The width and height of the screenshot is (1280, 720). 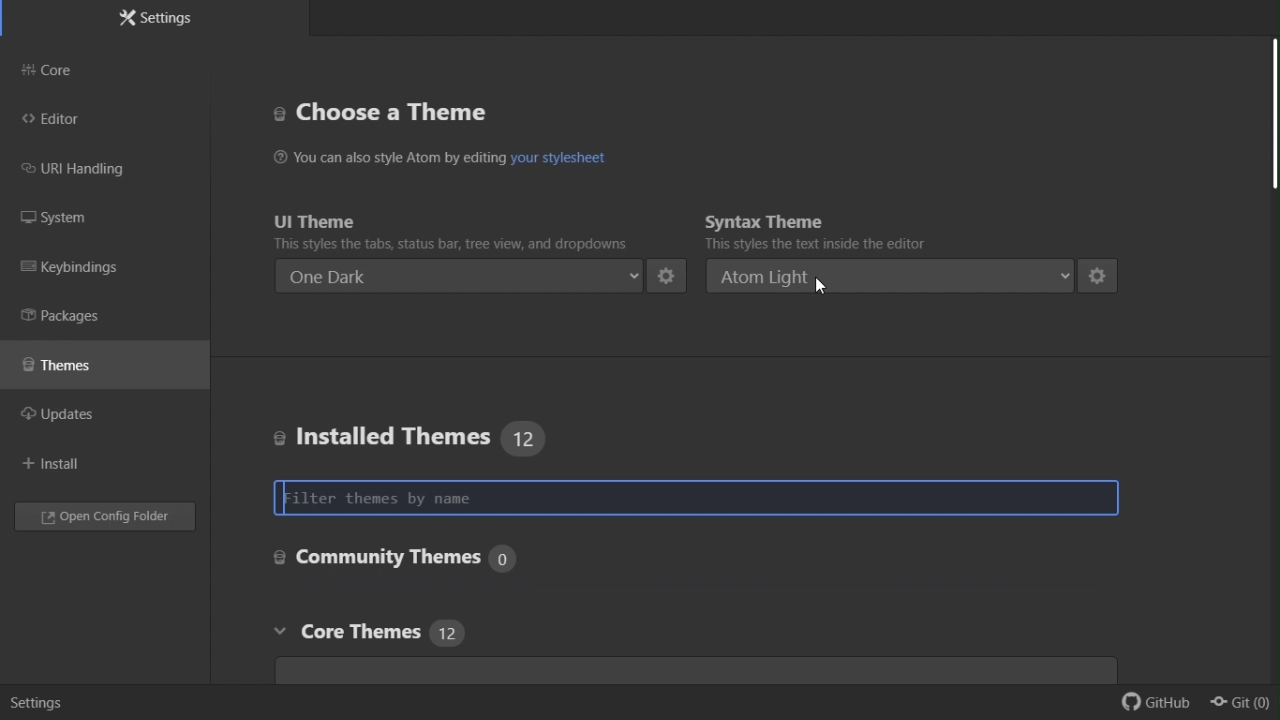 What do you see at coordinates (428, 434) in the screenshot?
I see `Installed themes` at bounding box center [428, 434].